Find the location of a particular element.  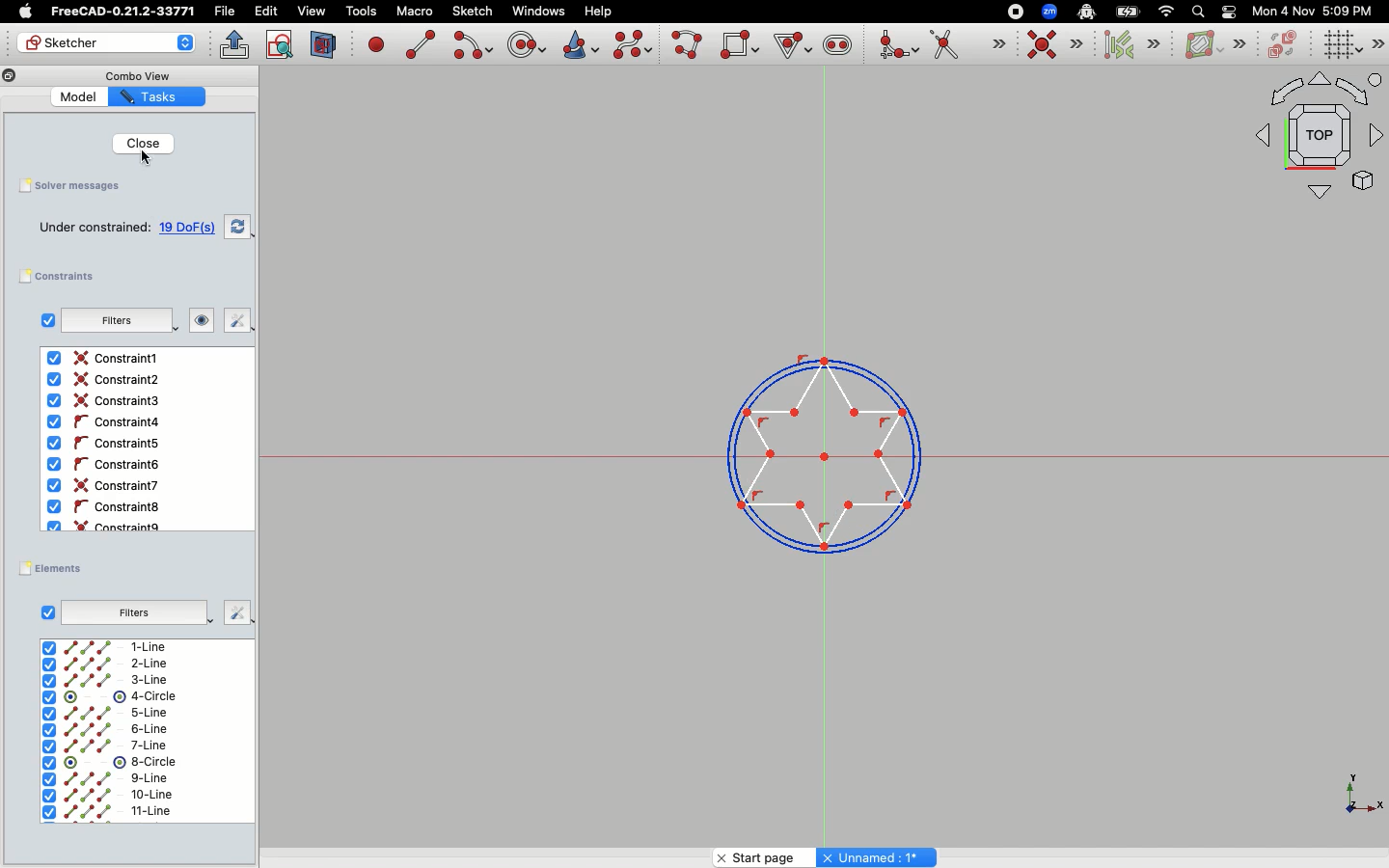

Create arc is located at coordinates (472, 45).